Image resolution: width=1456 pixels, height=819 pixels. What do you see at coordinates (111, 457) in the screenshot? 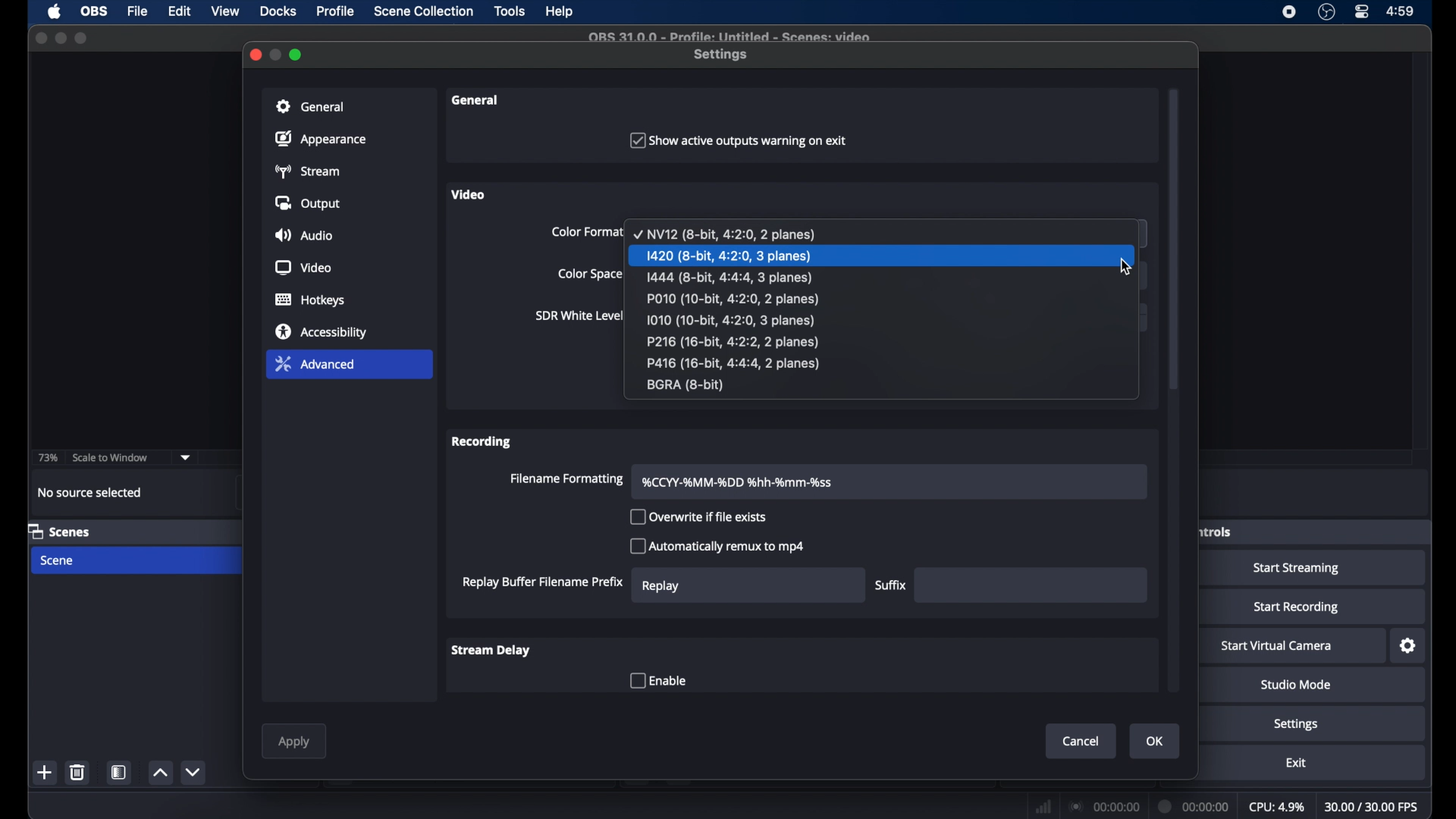
I see `scale to window` at bounding box center [111, 457].